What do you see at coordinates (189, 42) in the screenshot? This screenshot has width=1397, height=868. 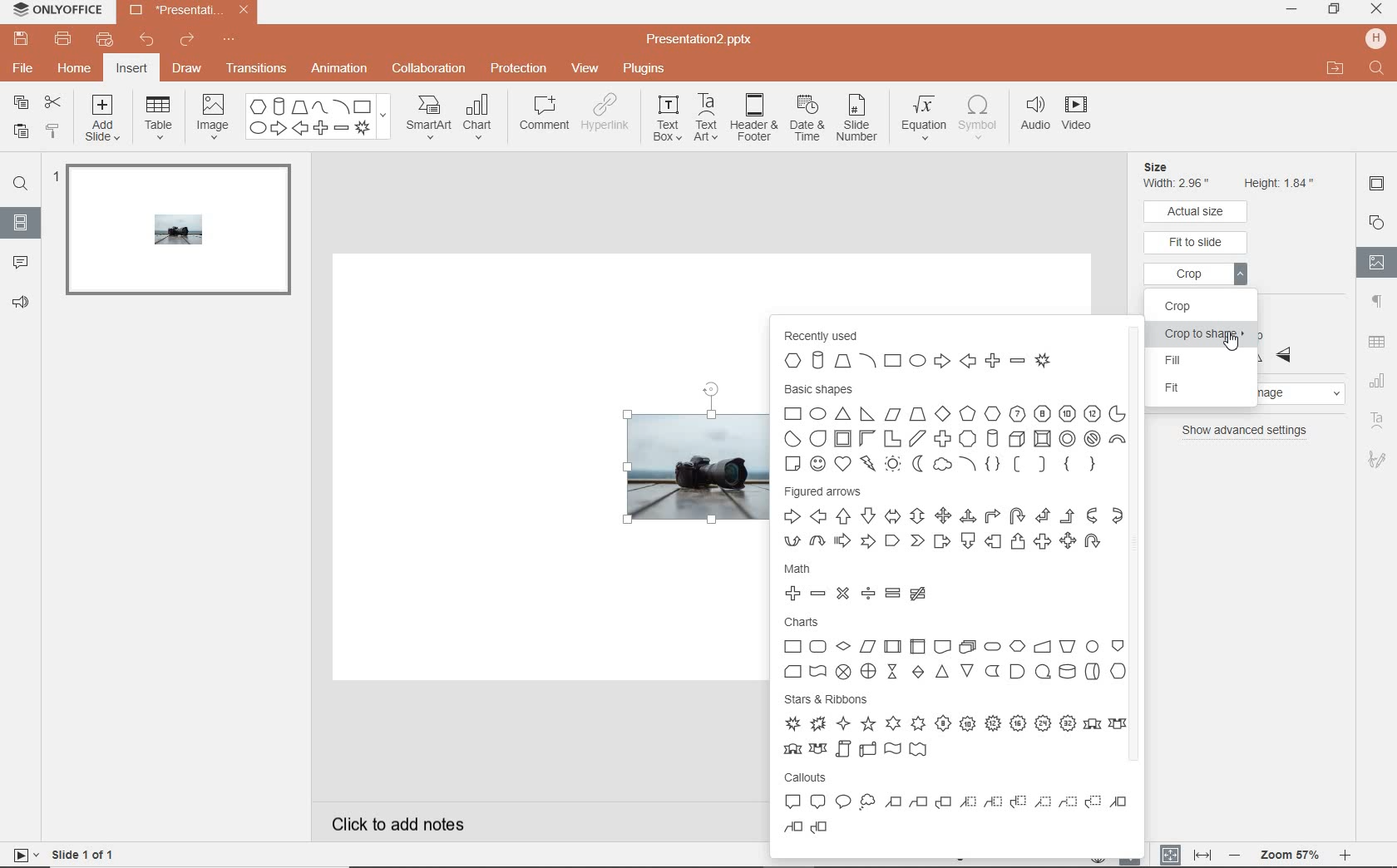 I see `redo` at bounding box center [189, 42].